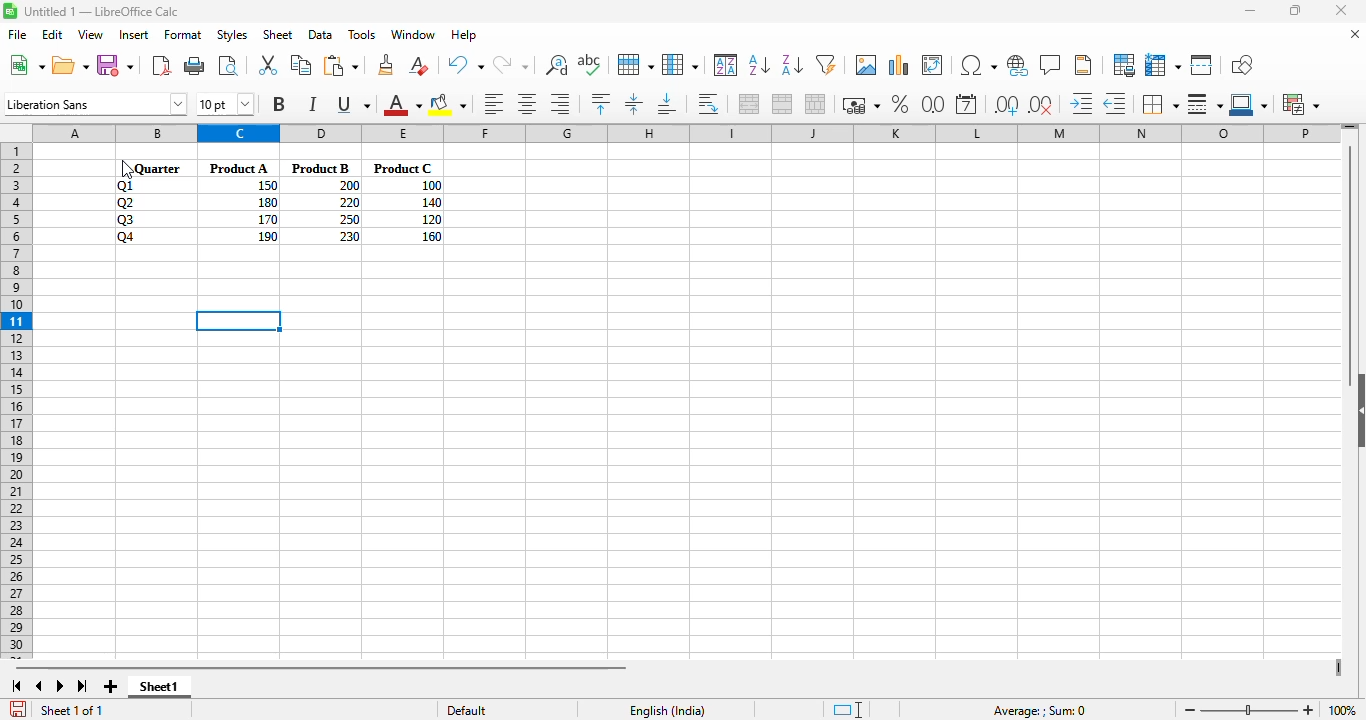  Describe the element at coordinates (195, 65) in the screenshot. I see `print` at that location.